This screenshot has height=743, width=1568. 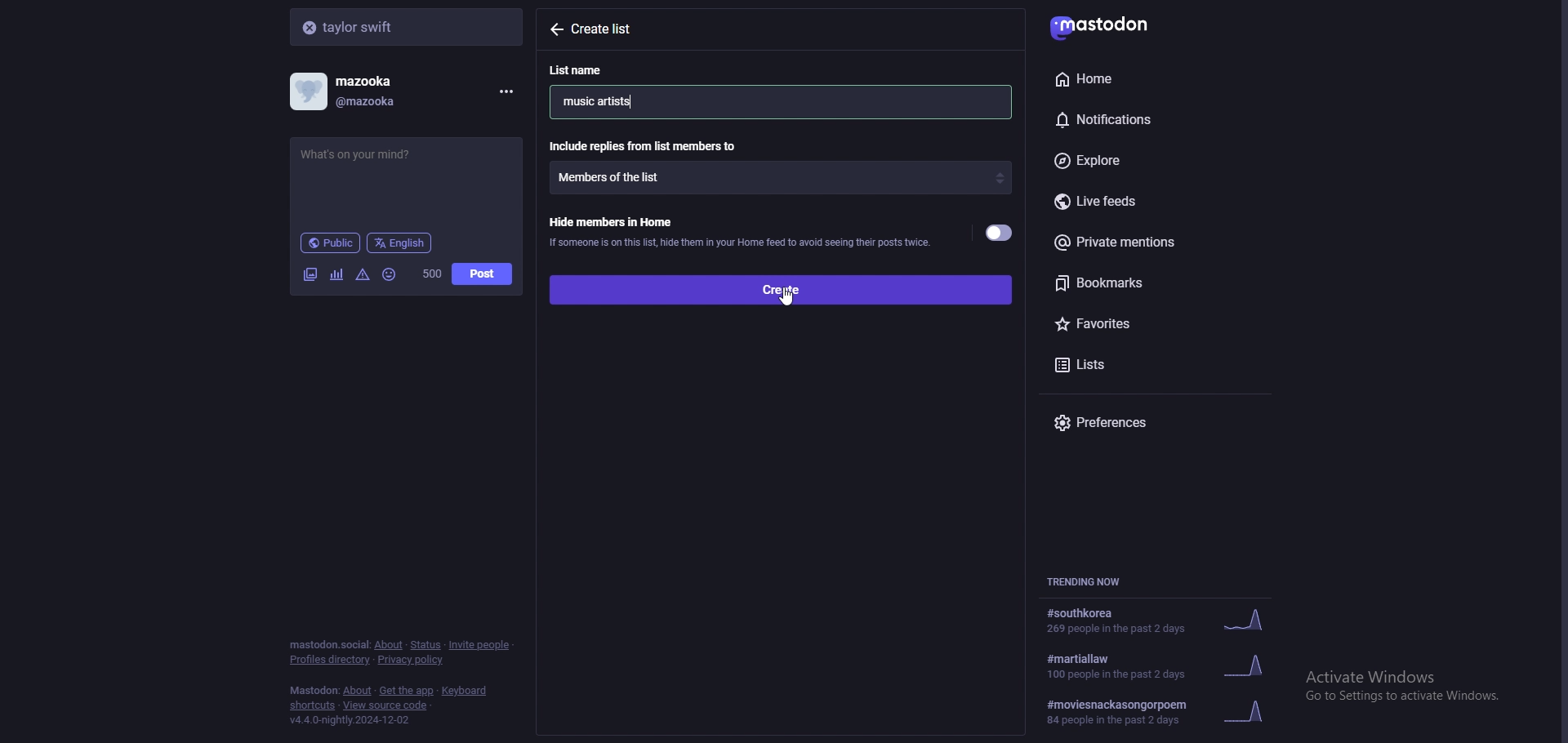 What do you see at coordinates (390, 274) in the screenshot?
I see `emoji` at bounding box center [390, 274].